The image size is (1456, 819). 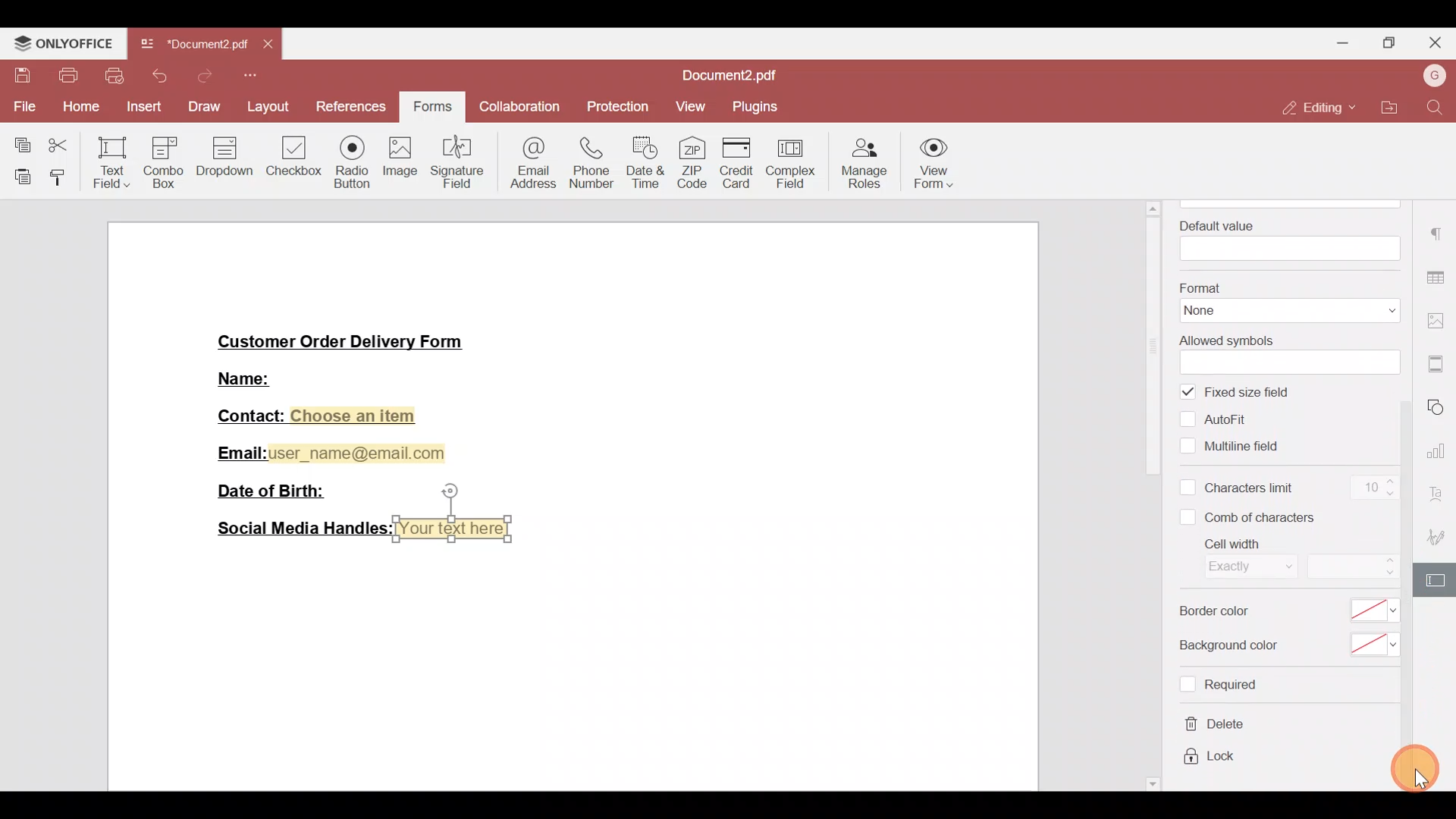 What do you see at coordinates (66, 76) in the screenshot?
I see `Print file` at bounding box center [66, 76].